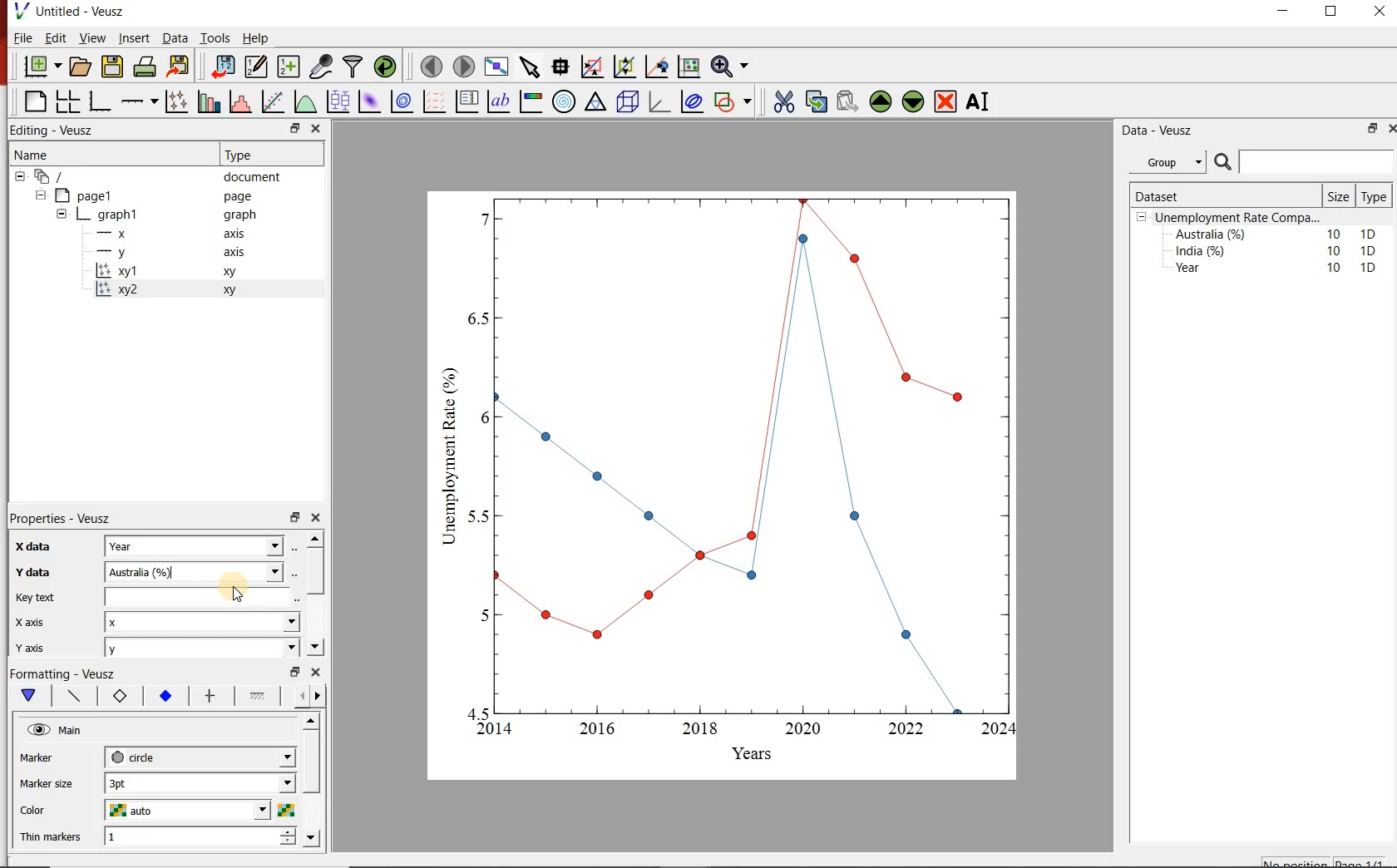 The height and width of the screenshot is (868, 1397). Describe the element at coordinates (180, 65) in the screenshot. I see `export document` at that location.